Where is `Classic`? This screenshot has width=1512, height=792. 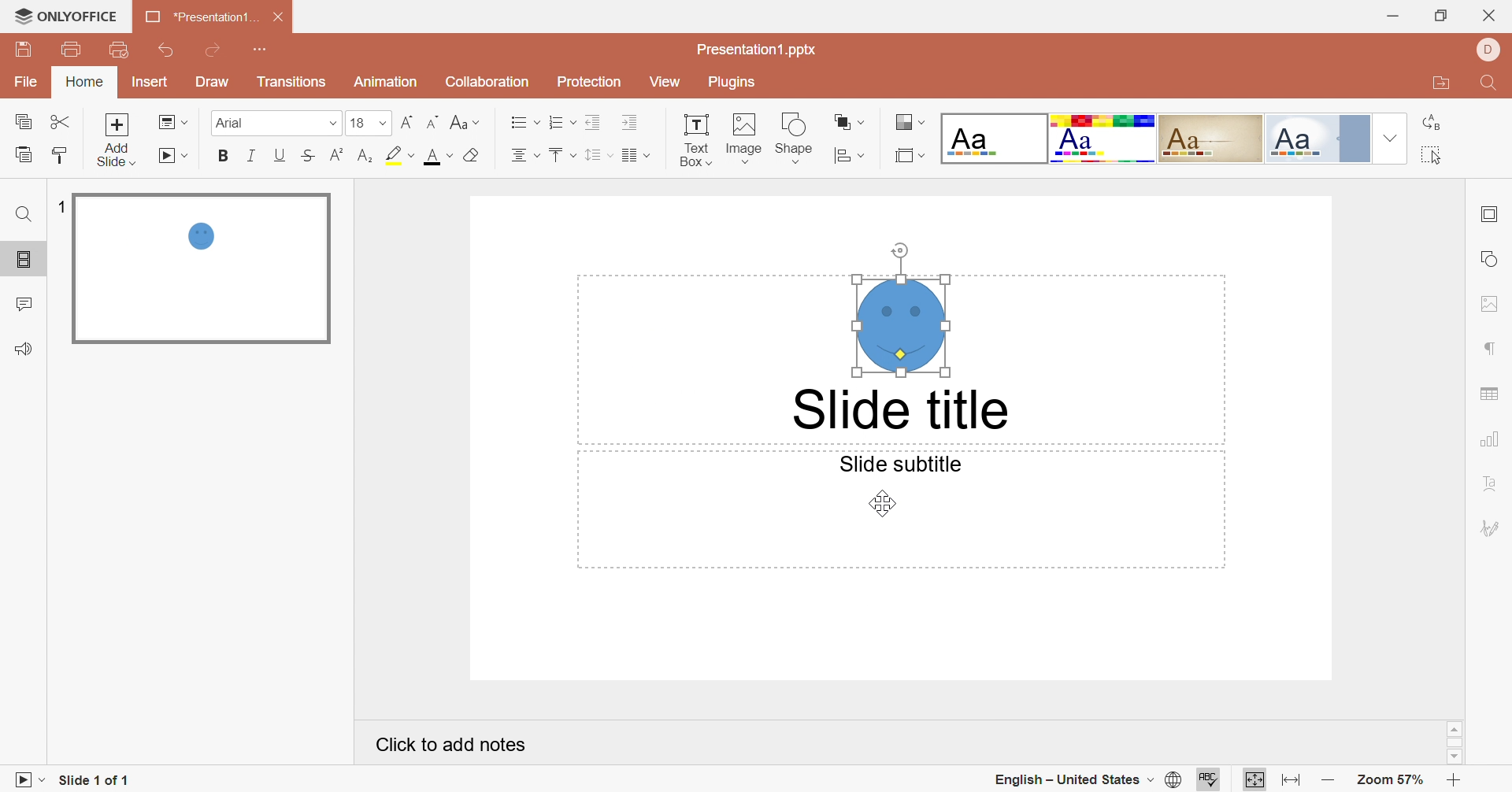
Classic is located at coordinates (1212, 136).